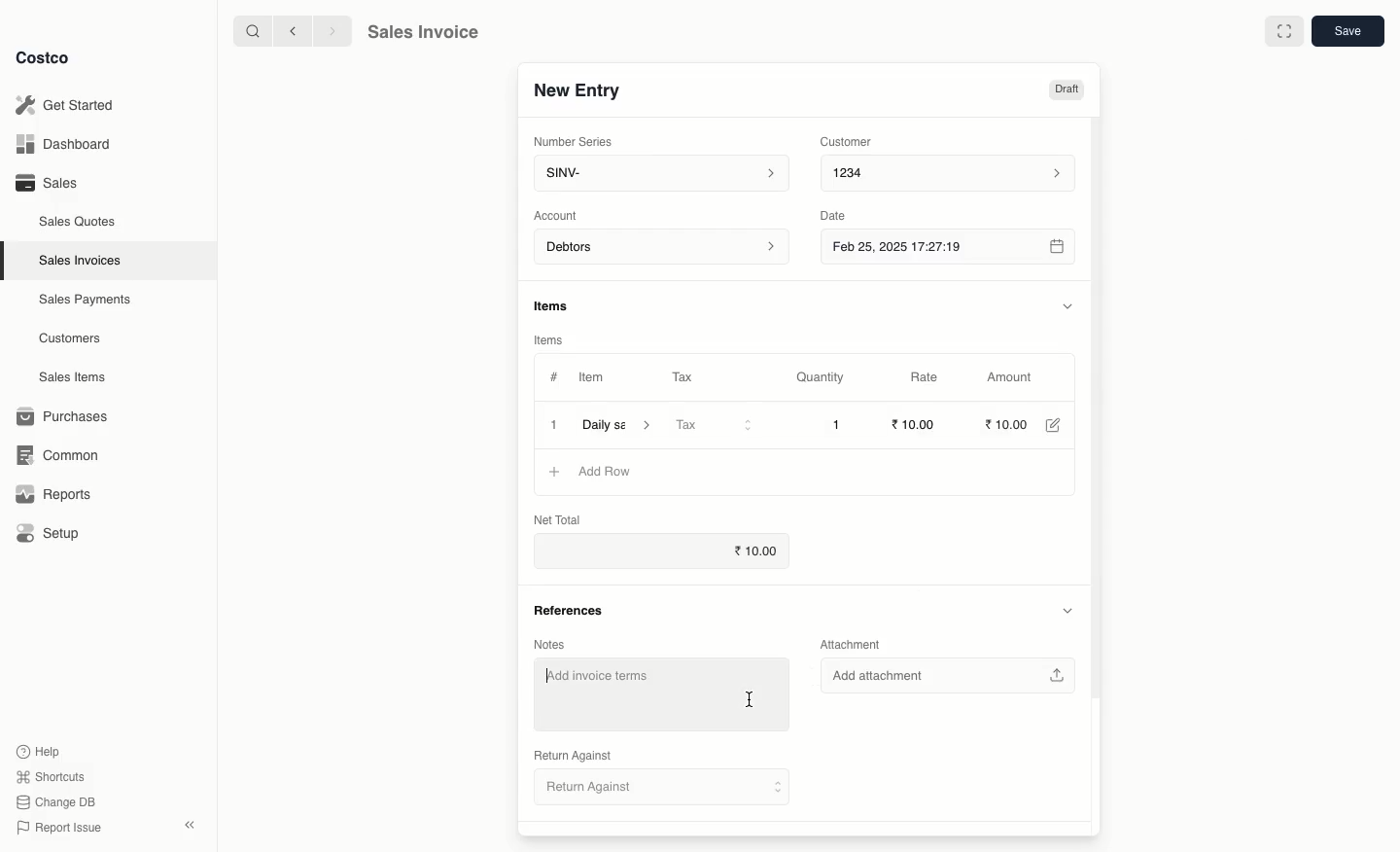 The image size is (1400, 852). Describe the element at coordinates (1069, 305) in the screenshot. I see `Hide` at that location.